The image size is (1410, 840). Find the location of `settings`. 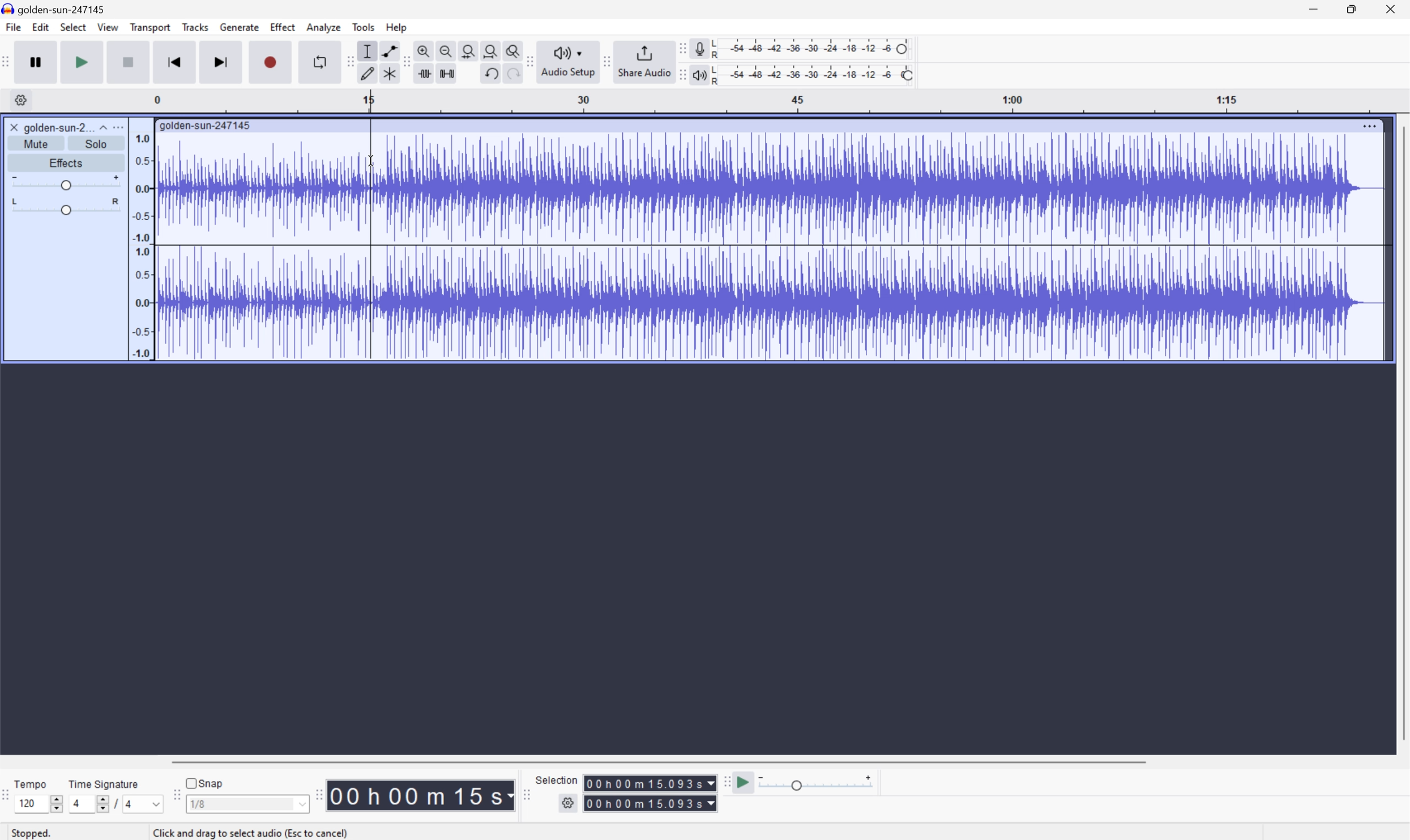

settings is located at coordinates (20, 100).